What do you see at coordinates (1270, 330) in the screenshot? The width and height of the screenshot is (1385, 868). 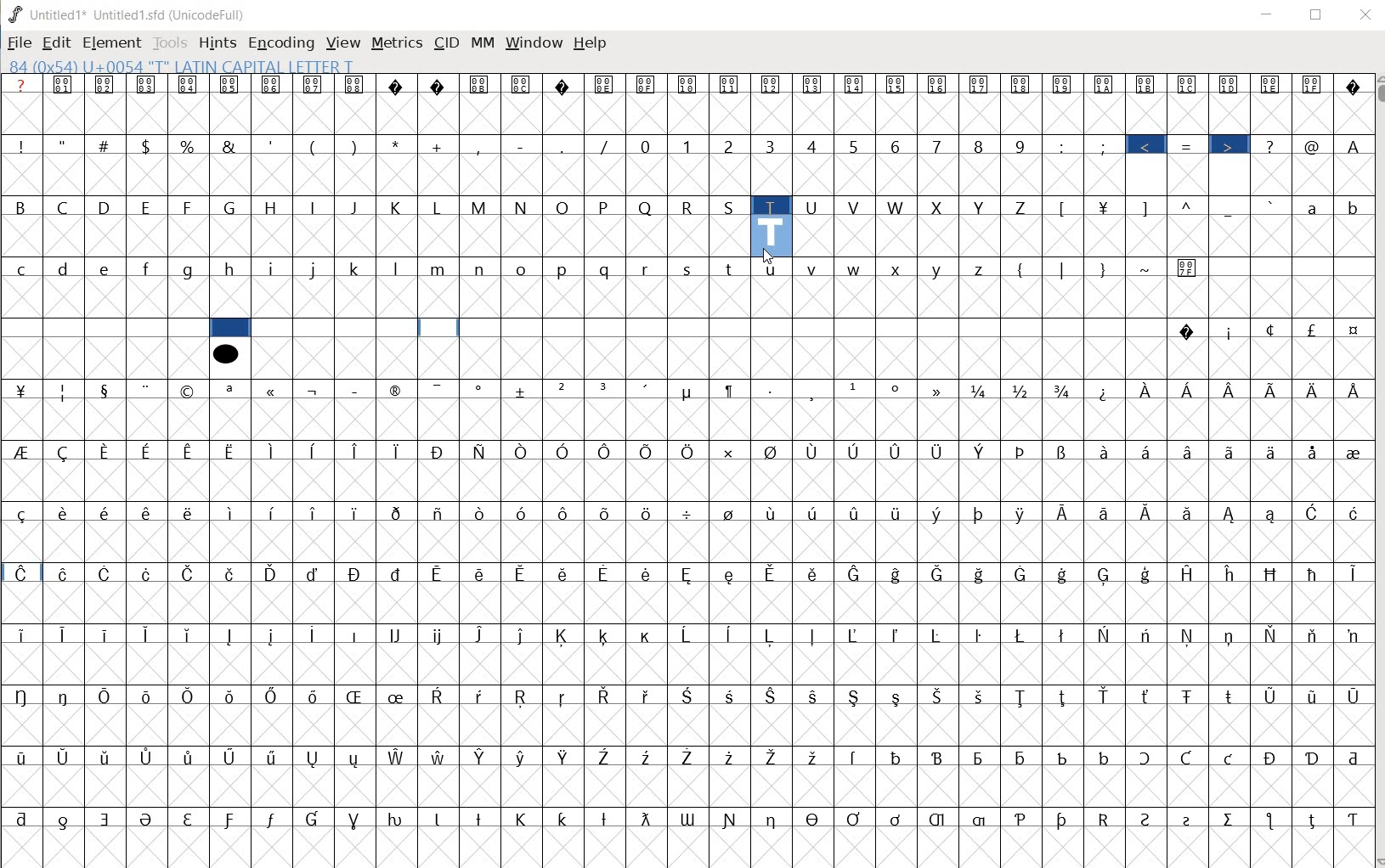 I see `Symbol` at bounding box center [1270, 330].